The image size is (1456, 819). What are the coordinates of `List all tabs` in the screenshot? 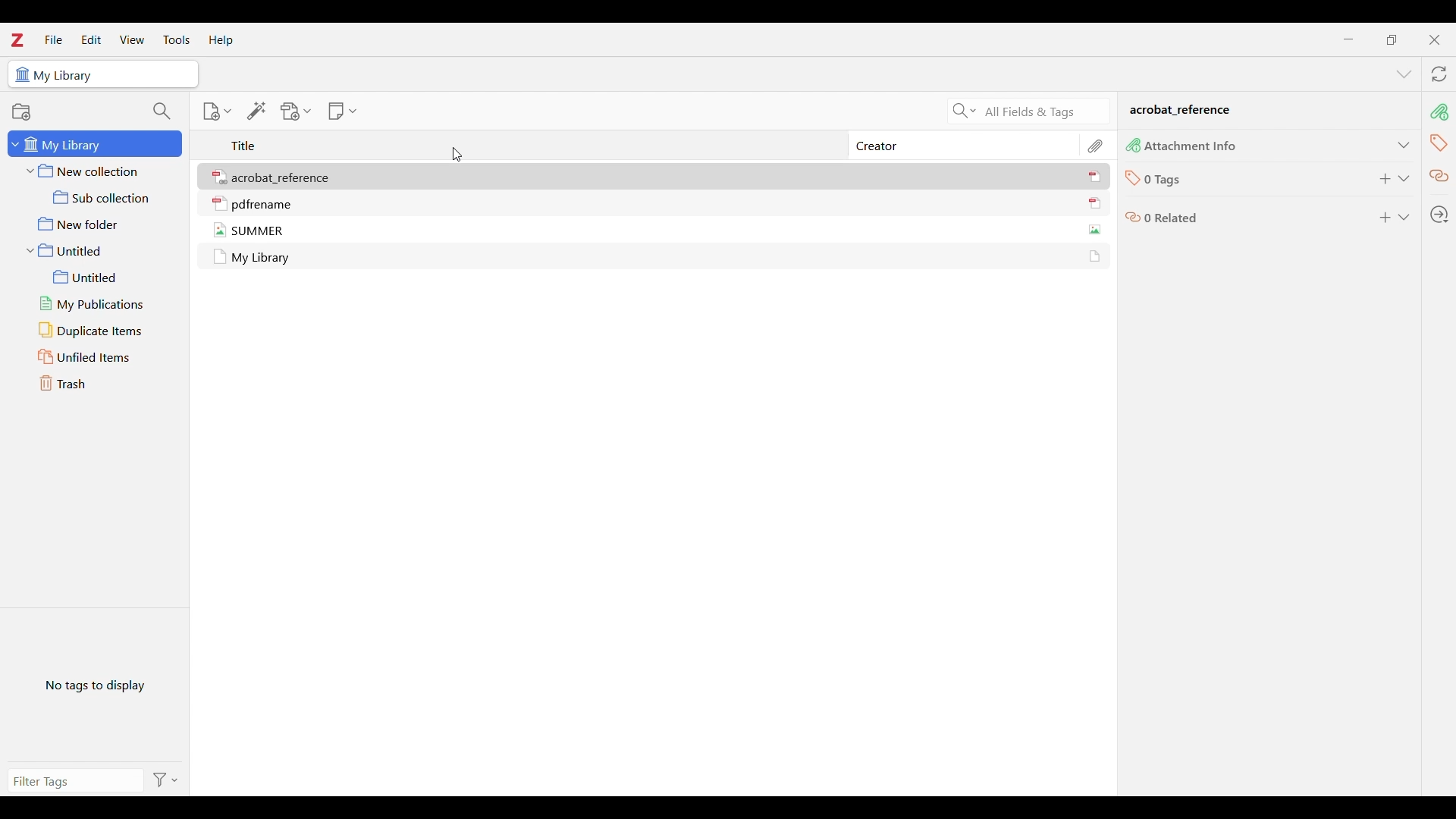 It's located at (1404, 74).